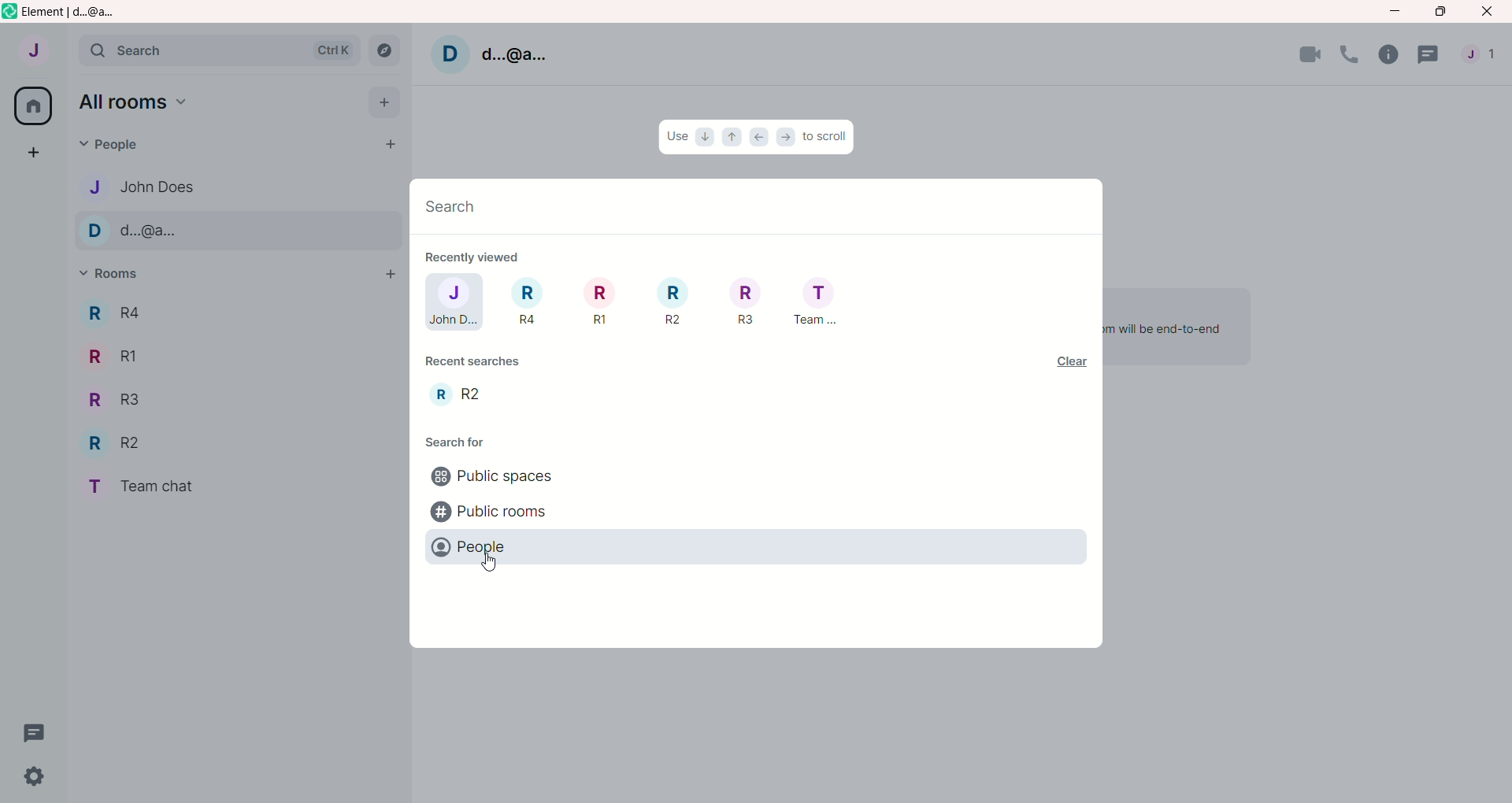 The width and height of the screenshot is (1512, 803). I want to click on thread, so click(35, 733).